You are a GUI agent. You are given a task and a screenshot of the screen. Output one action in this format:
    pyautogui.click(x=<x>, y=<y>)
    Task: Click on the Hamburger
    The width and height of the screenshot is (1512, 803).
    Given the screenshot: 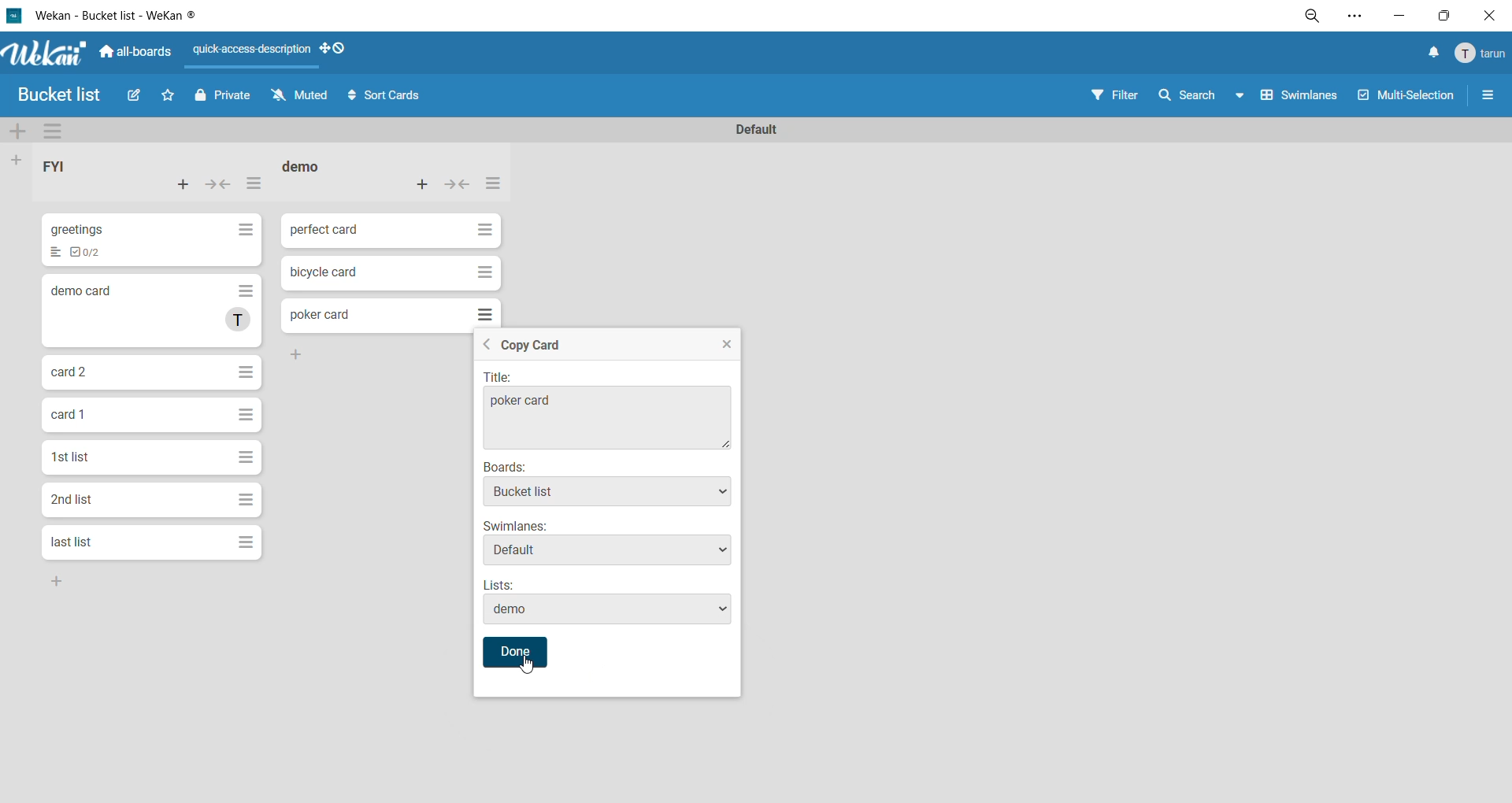 What is the action you would take?
    pyautogui.click(x=244, y=231)
    